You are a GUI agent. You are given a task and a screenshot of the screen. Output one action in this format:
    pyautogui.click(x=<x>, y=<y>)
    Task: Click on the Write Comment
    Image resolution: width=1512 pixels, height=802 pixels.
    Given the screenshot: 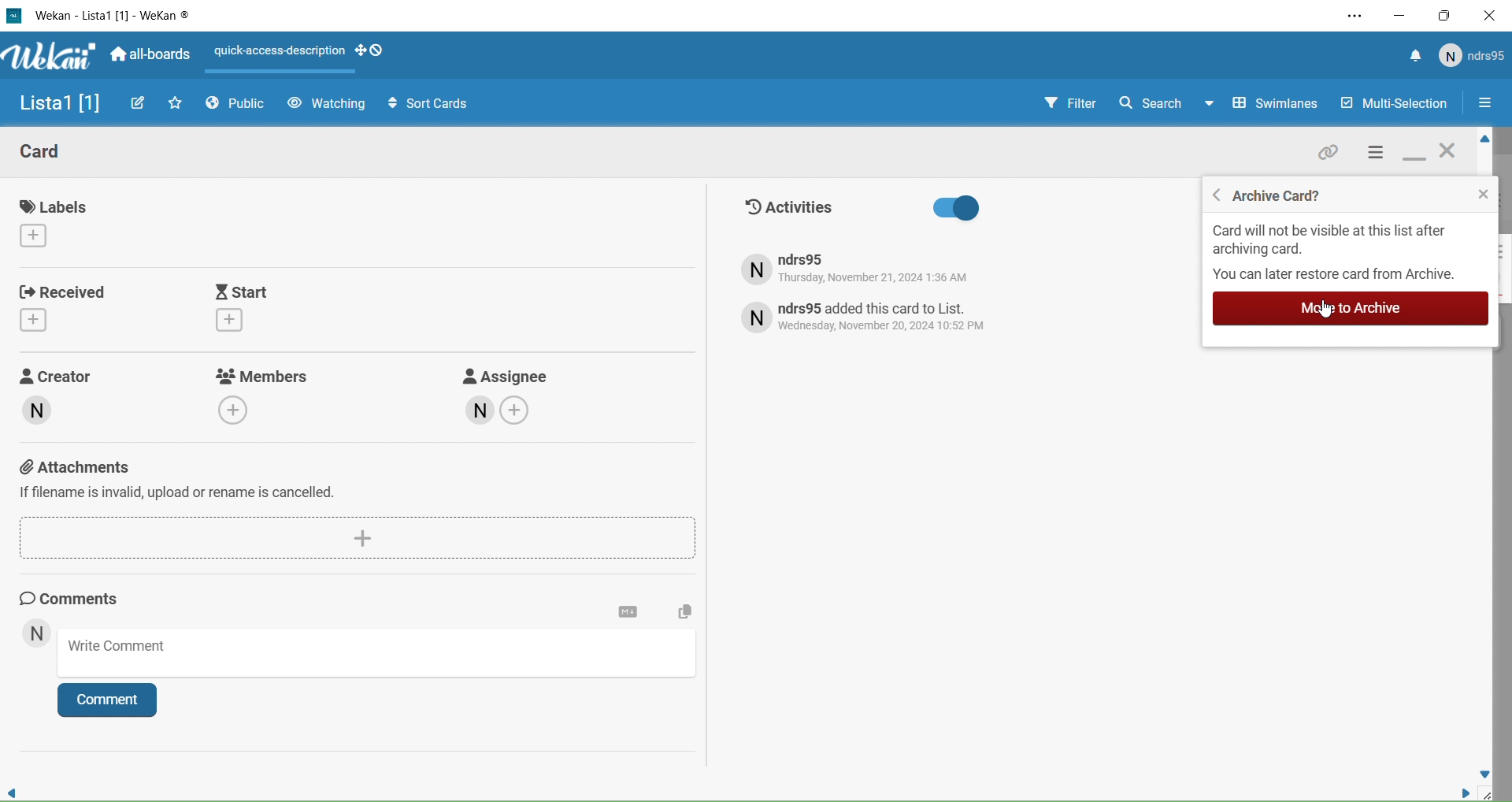 What is the action you would take?
    pyautogui.click(x=372, y=654)
    